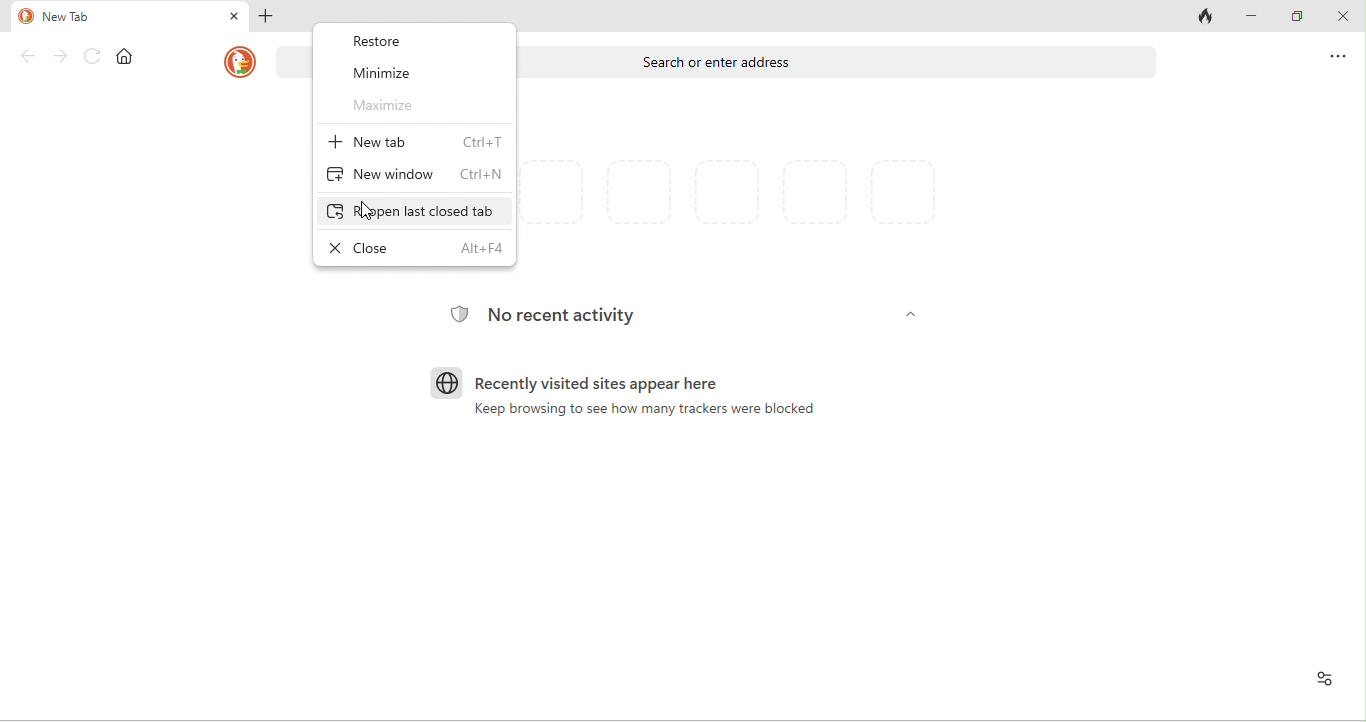 The image size is (1366, 722). Describe the element at coordinates (1338, 56) in the screenshot. I see `options` at that location.